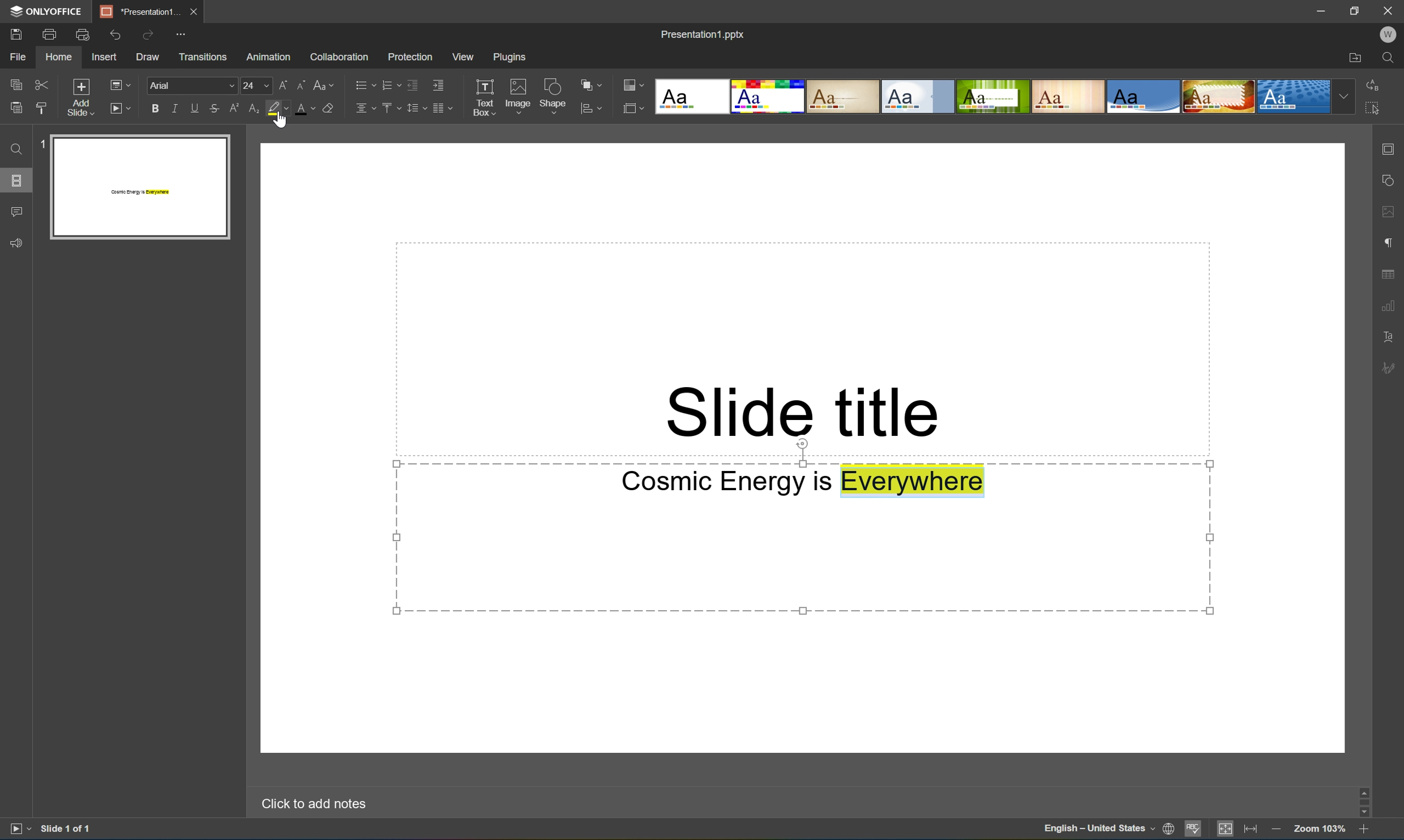 This screenshot has width=1404, height=840. What do you see at coordinates (51, 35) in the screenshot?
I see `Print` at bounding box center [51, 35].